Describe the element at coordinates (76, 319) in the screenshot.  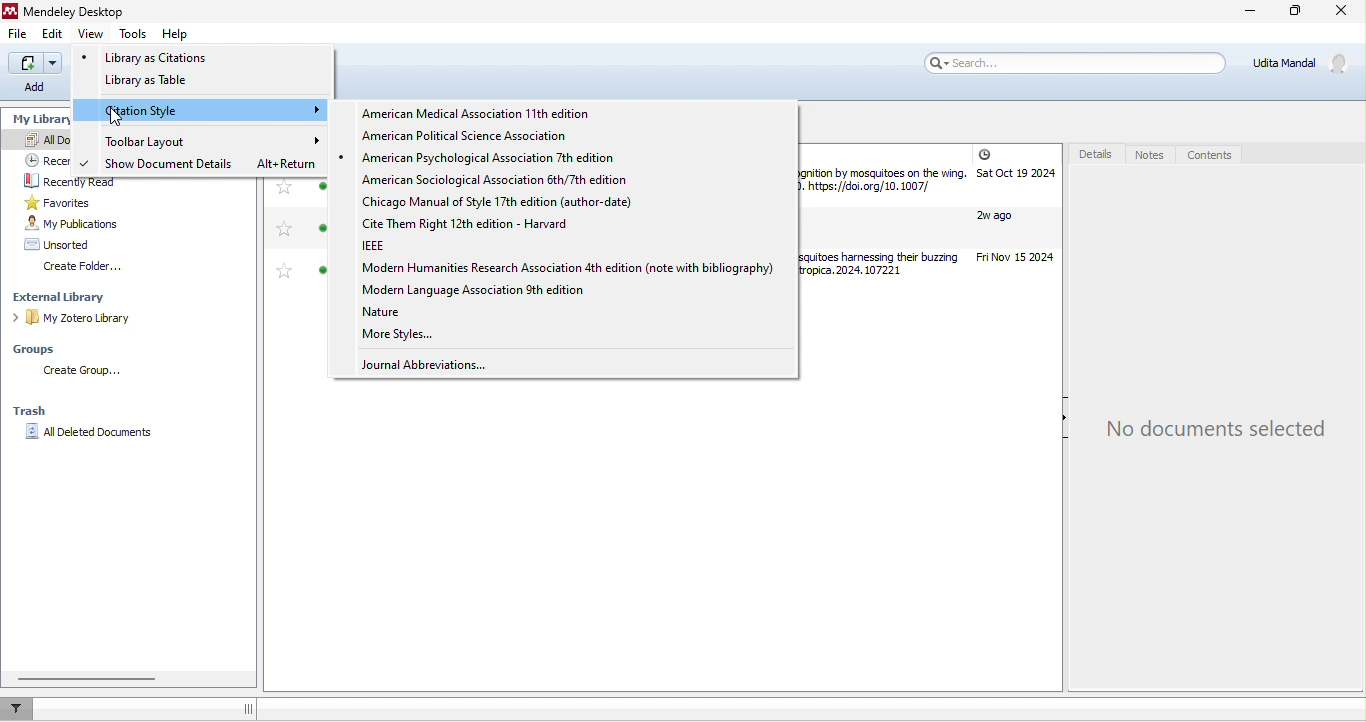
I see `my zotero library` at that location.